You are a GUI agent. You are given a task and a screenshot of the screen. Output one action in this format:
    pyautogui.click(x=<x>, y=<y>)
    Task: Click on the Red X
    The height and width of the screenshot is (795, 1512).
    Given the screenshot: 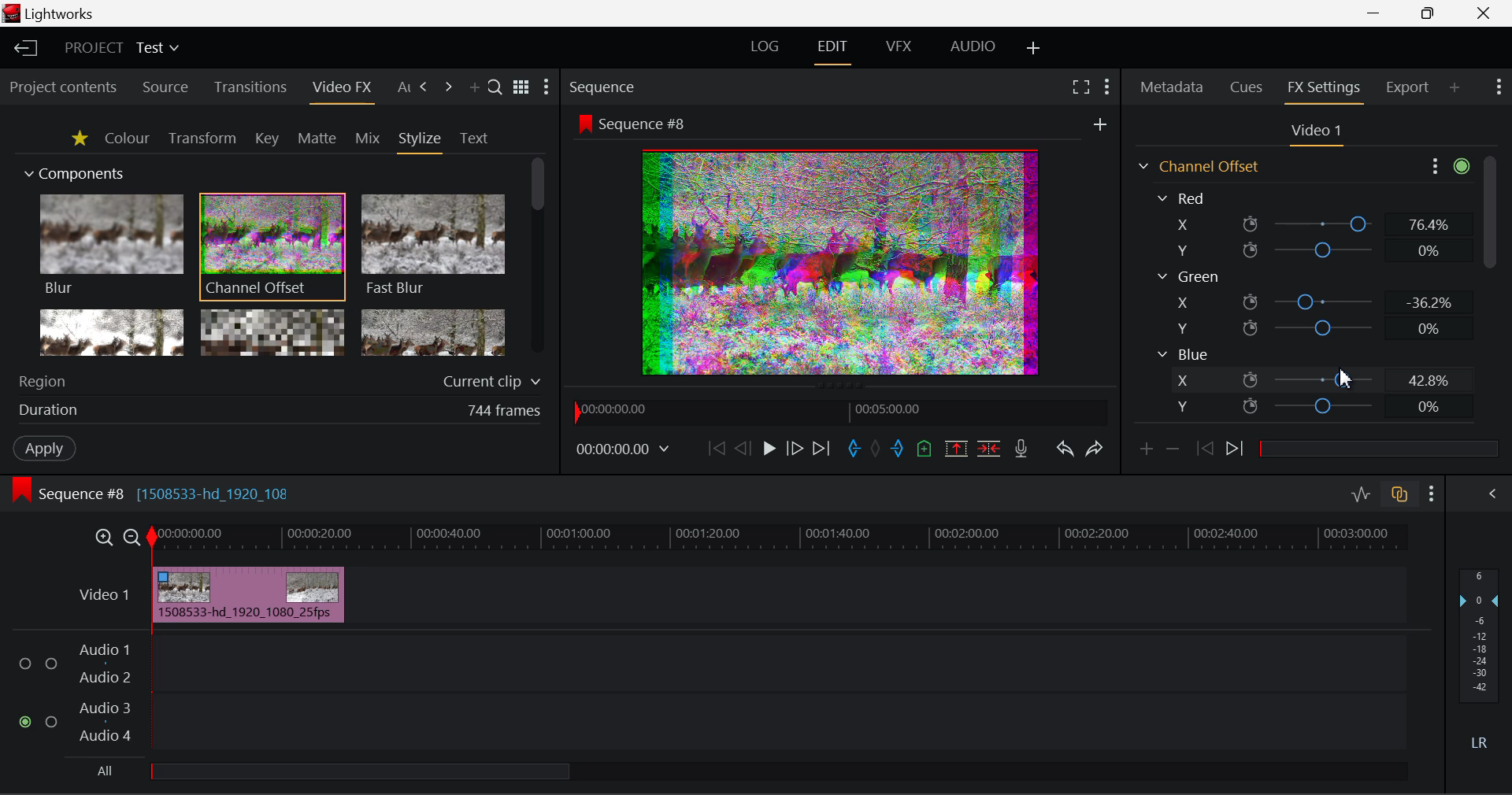 What is the action you would take?
    pyautogui.click(x=1309, y=224)
    